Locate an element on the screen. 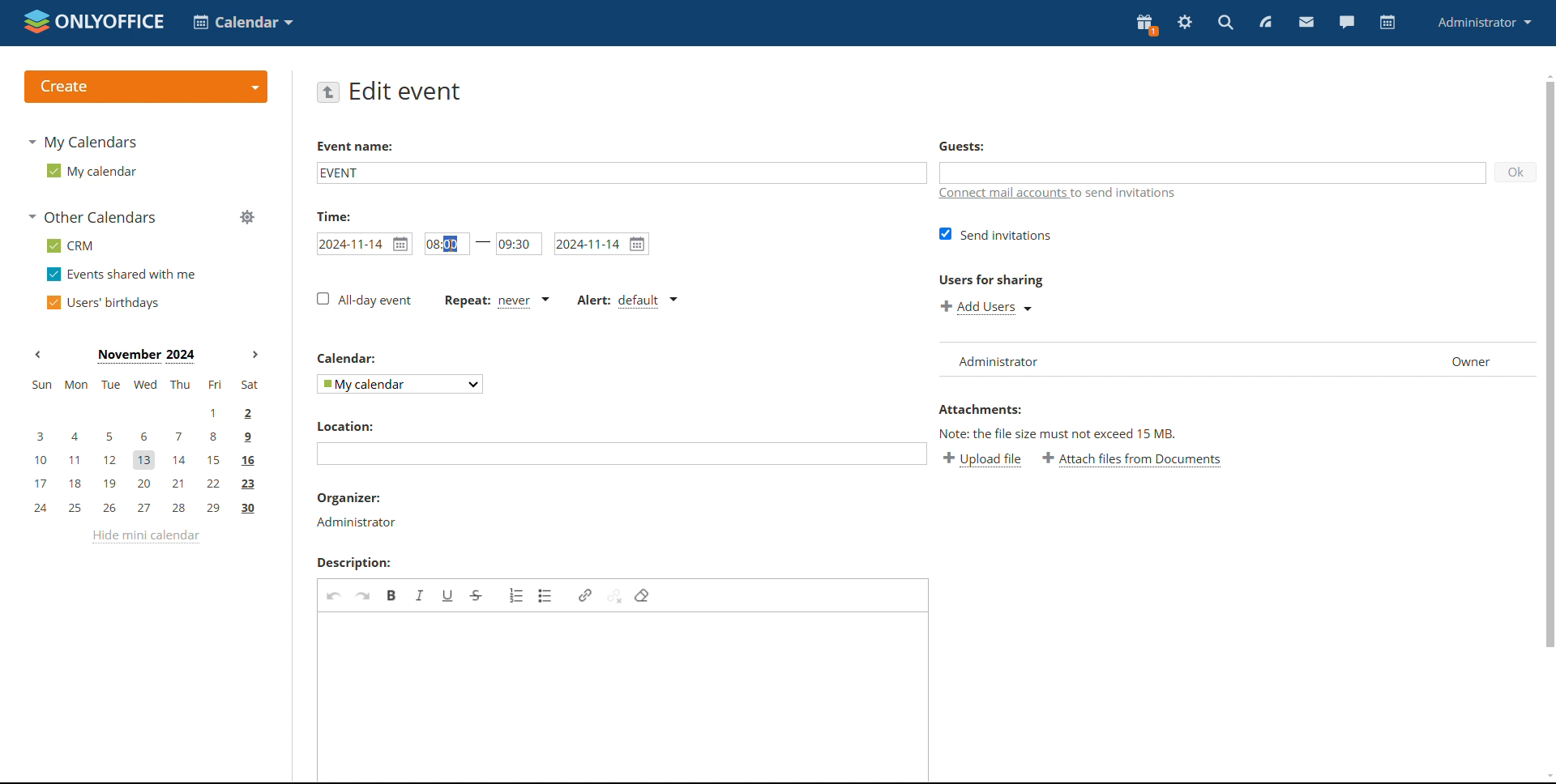  event name is located at coordinates (620, 172).